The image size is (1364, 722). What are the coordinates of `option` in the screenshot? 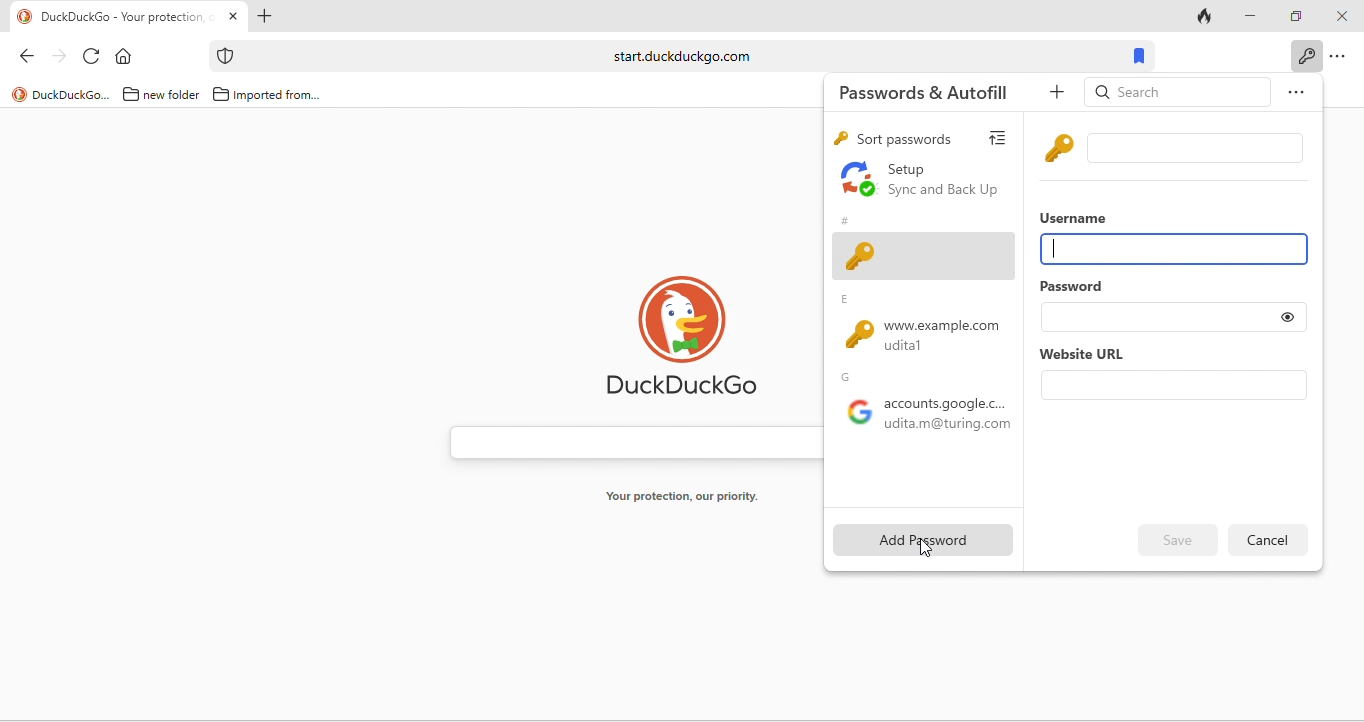 It's located at (1341, 55).